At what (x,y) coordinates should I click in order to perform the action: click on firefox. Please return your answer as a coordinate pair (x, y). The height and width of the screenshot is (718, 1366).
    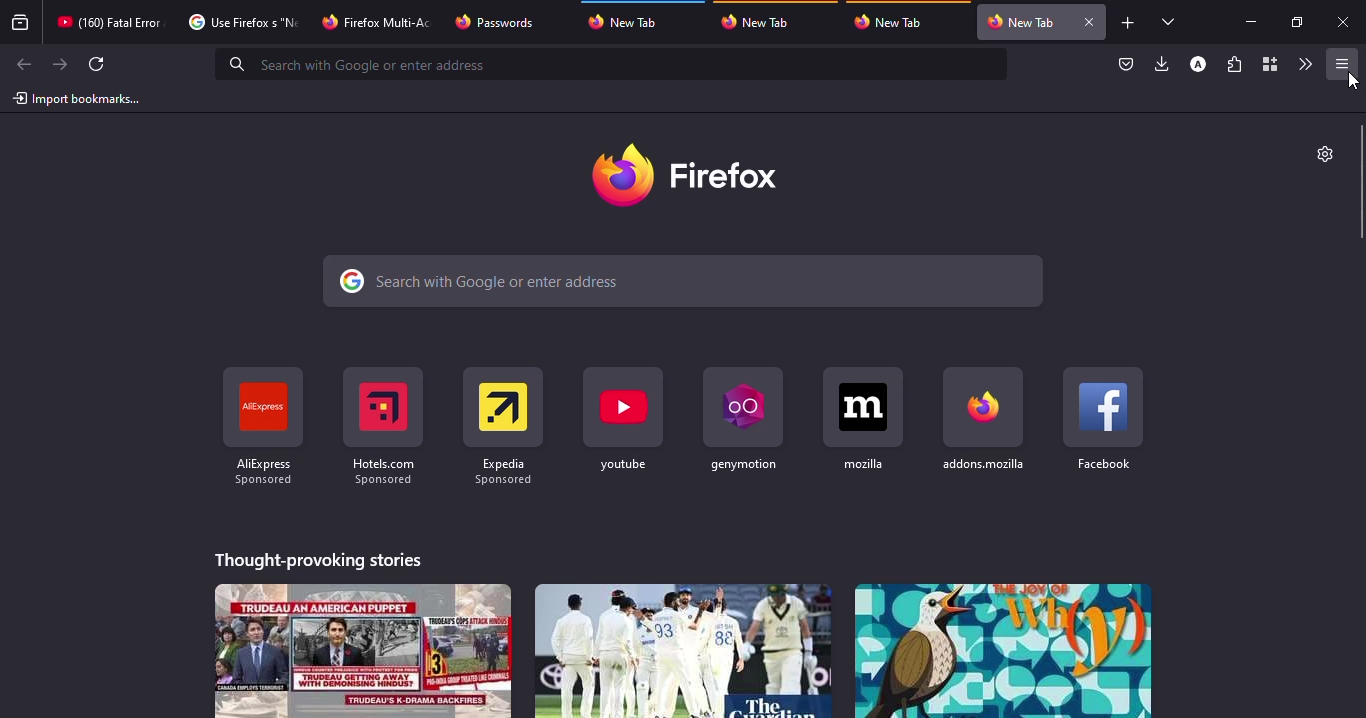
    Looking at the image, I should click on (691, 175).